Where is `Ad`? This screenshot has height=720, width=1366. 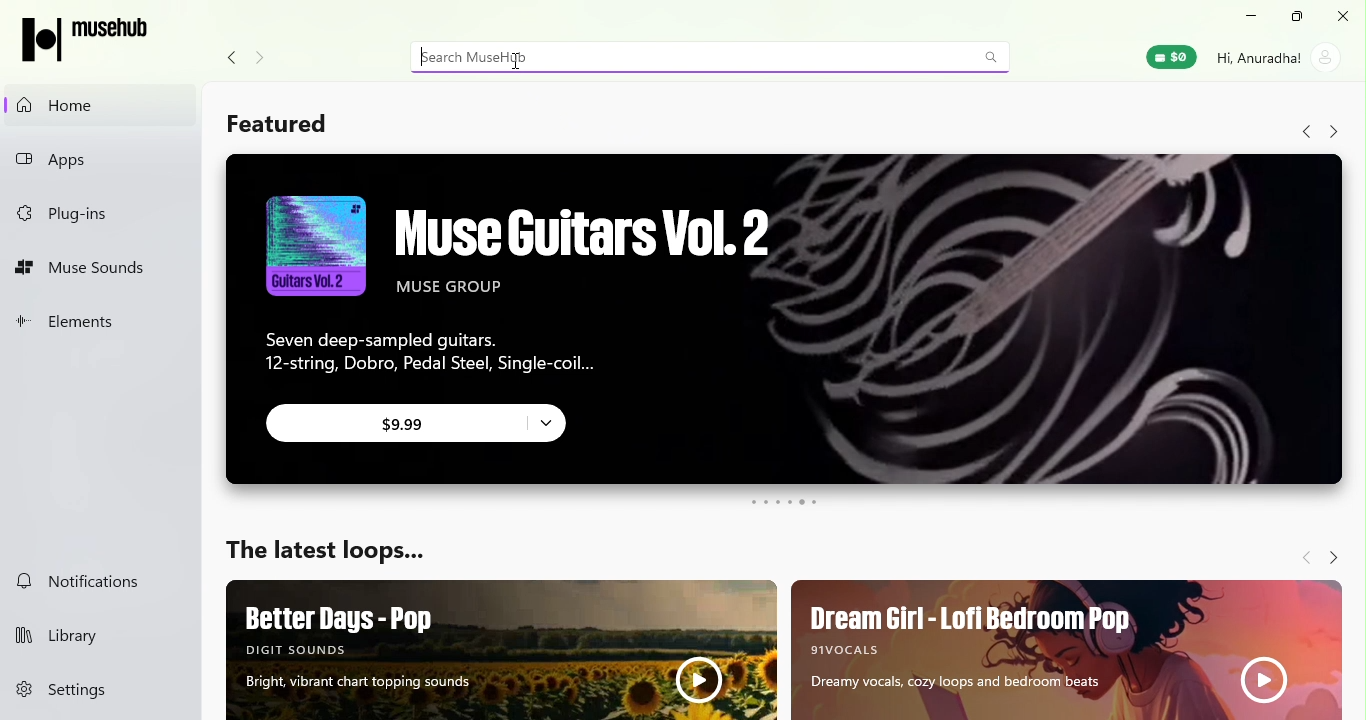 Ad is located at coordinates (775, 323).